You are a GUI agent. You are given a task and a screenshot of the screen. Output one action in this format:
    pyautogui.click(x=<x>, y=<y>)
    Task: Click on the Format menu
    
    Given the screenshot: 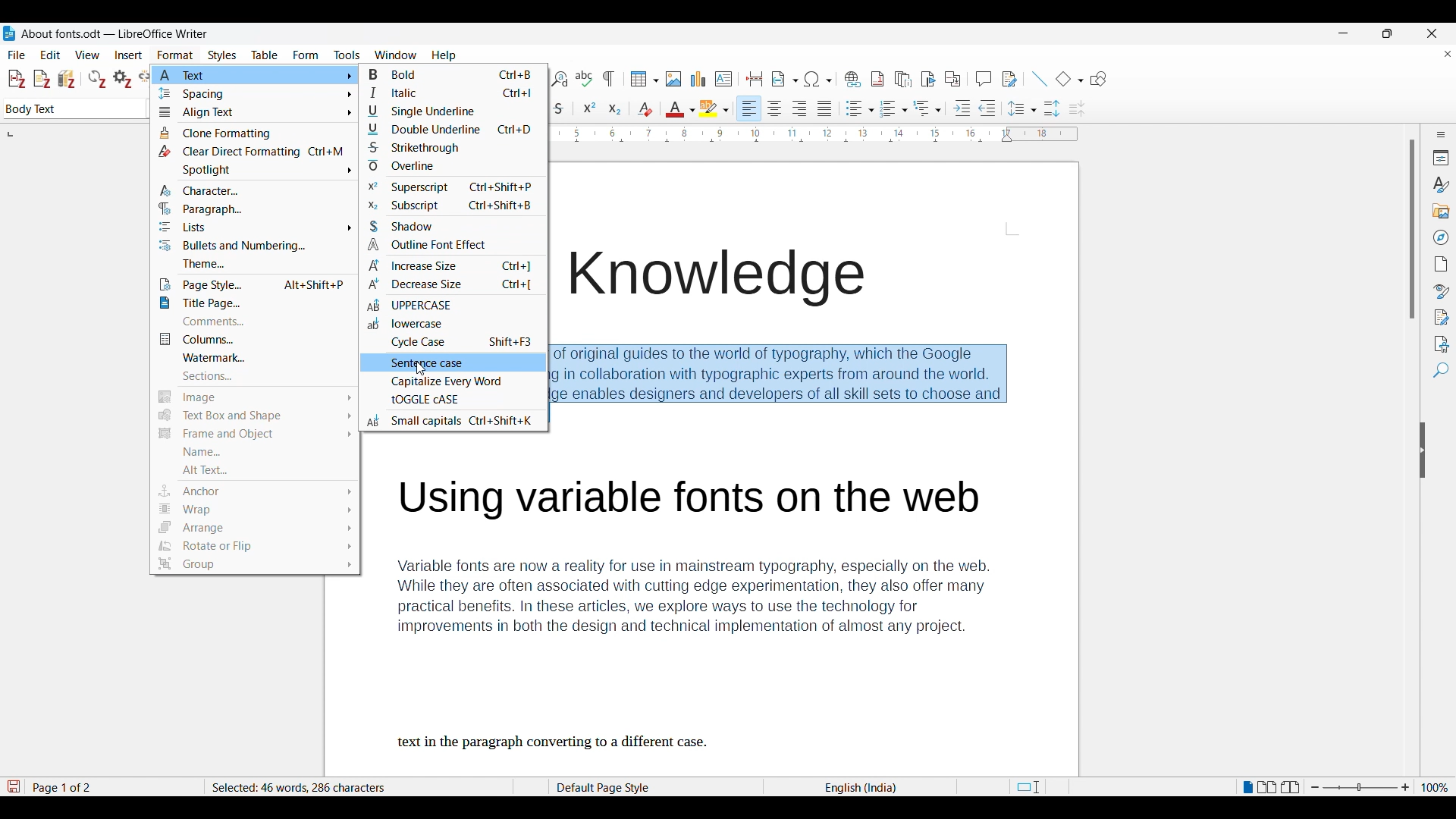 What is the action you would take?
    pyautogui.click(x=175, y=55)
    